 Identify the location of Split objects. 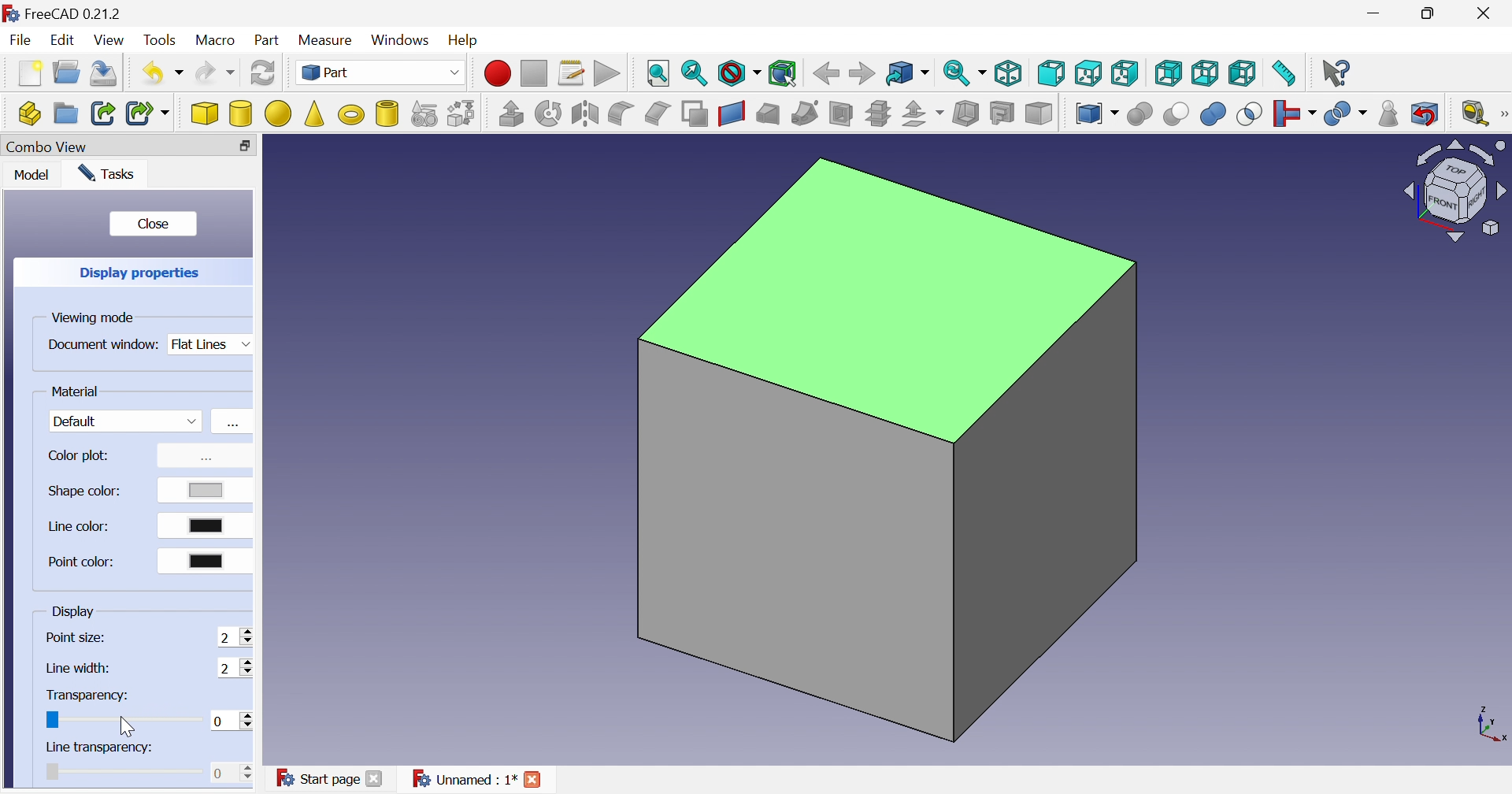
(1347, 115).